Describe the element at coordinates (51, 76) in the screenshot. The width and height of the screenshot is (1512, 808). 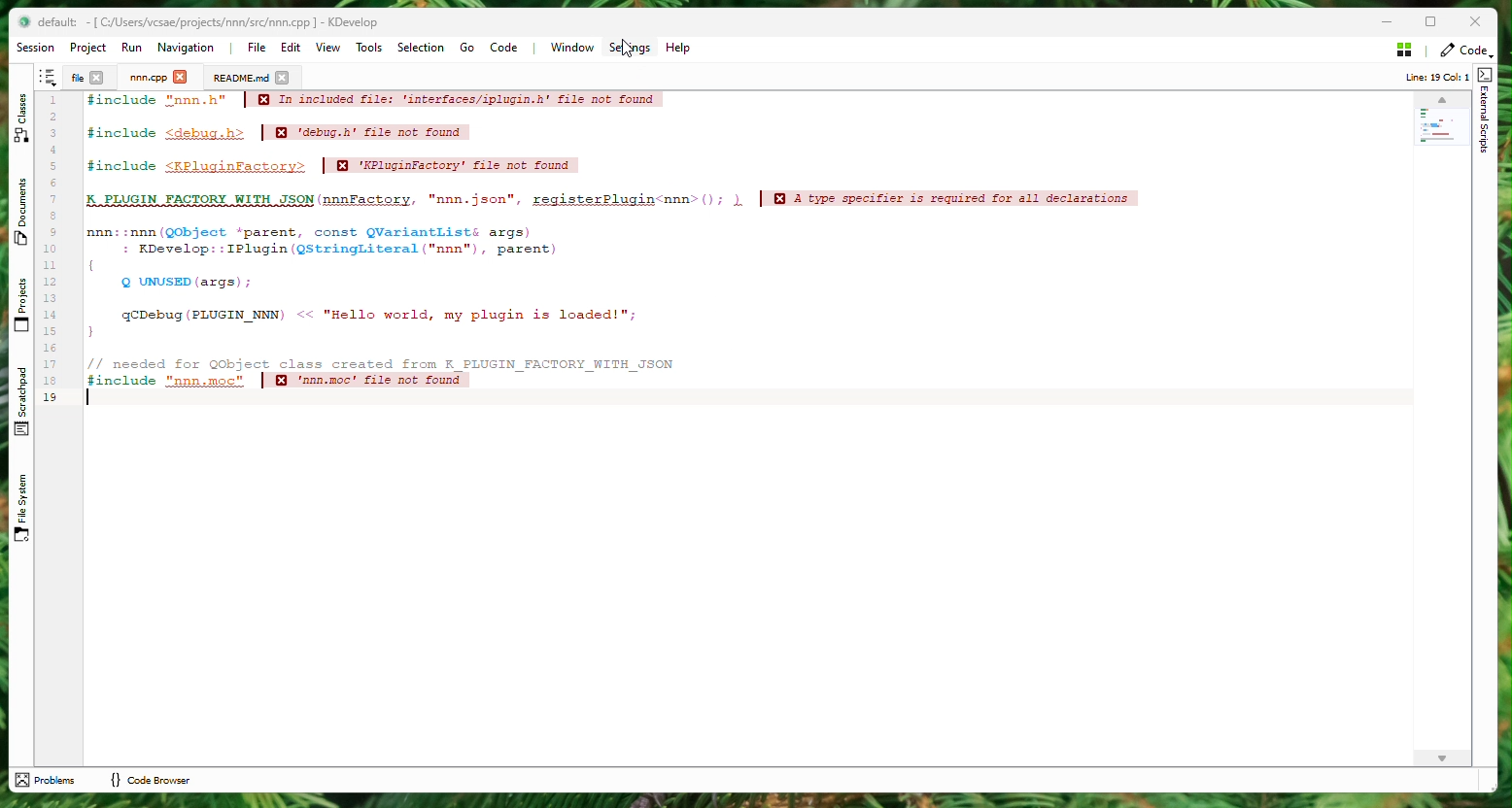
I see `Shortcut` at that location.